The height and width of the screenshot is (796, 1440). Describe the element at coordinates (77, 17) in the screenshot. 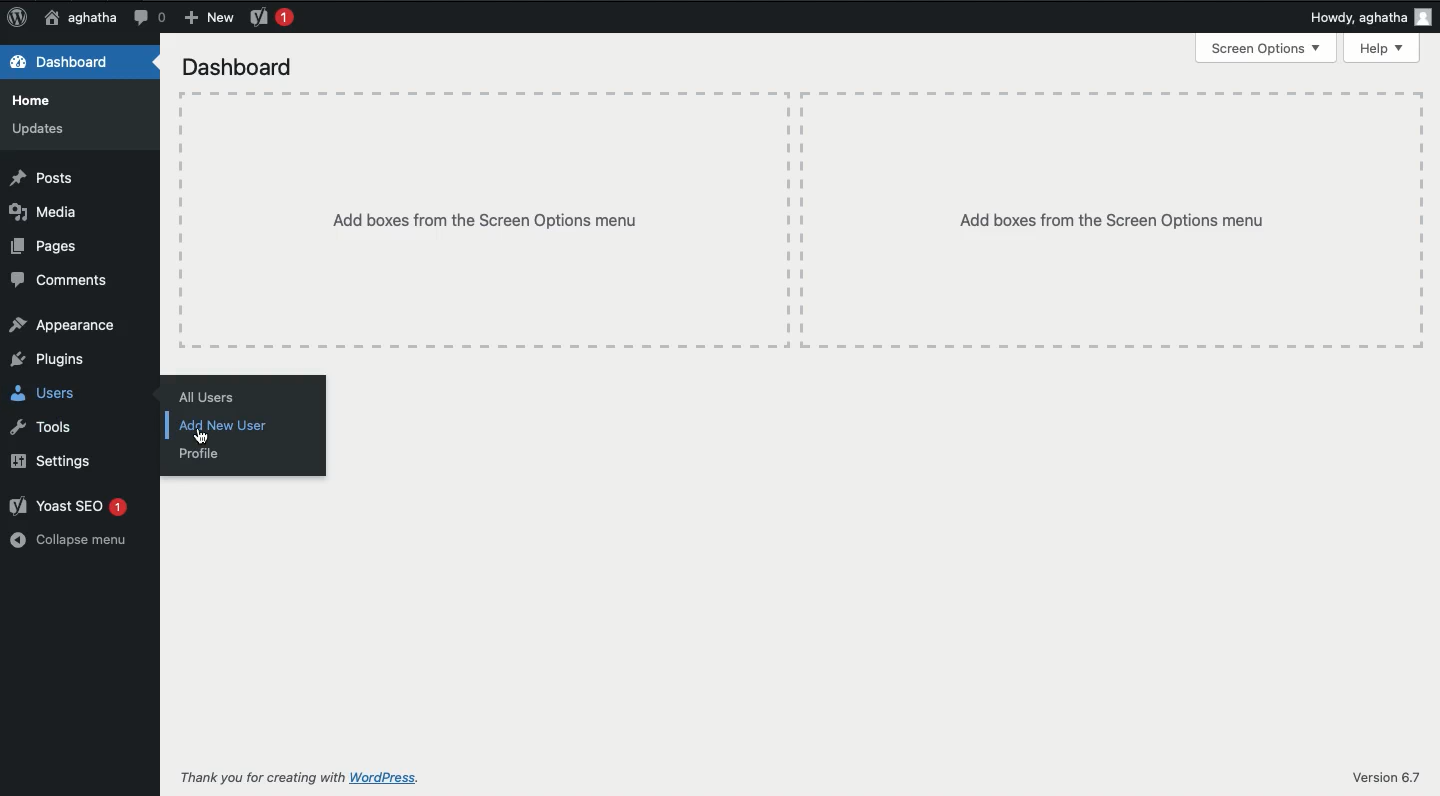

I see `aghatha` at that location.